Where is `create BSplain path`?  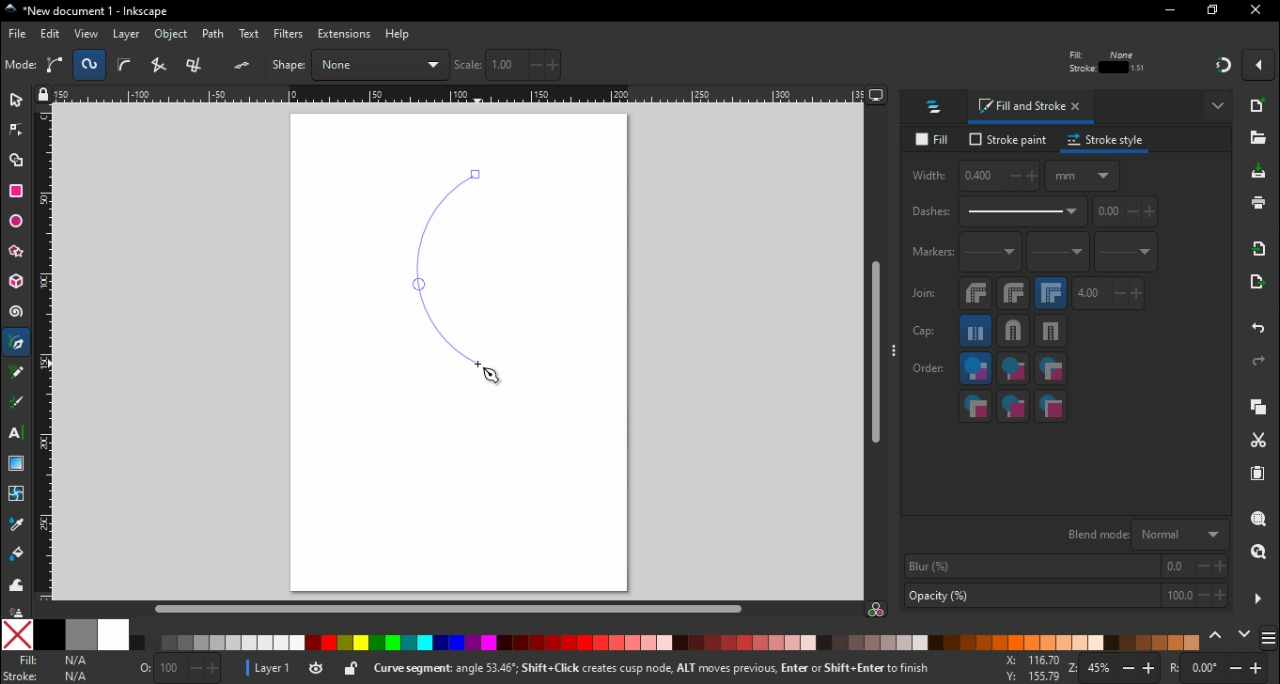
create BSplain path is located at coordinates (128, 68).